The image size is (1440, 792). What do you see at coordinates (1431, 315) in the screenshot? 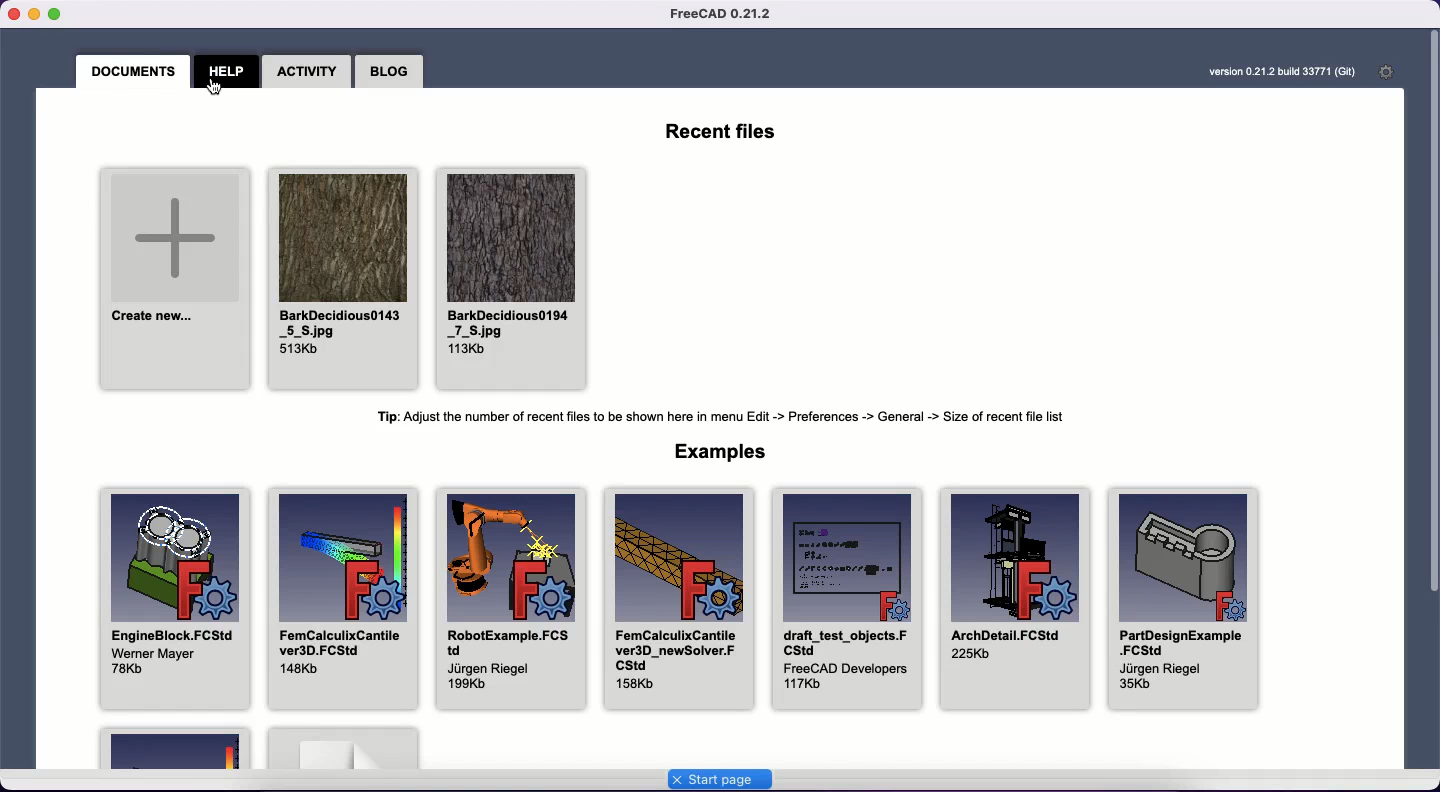
I see `Scroll` at bounding box center [1431, 315].